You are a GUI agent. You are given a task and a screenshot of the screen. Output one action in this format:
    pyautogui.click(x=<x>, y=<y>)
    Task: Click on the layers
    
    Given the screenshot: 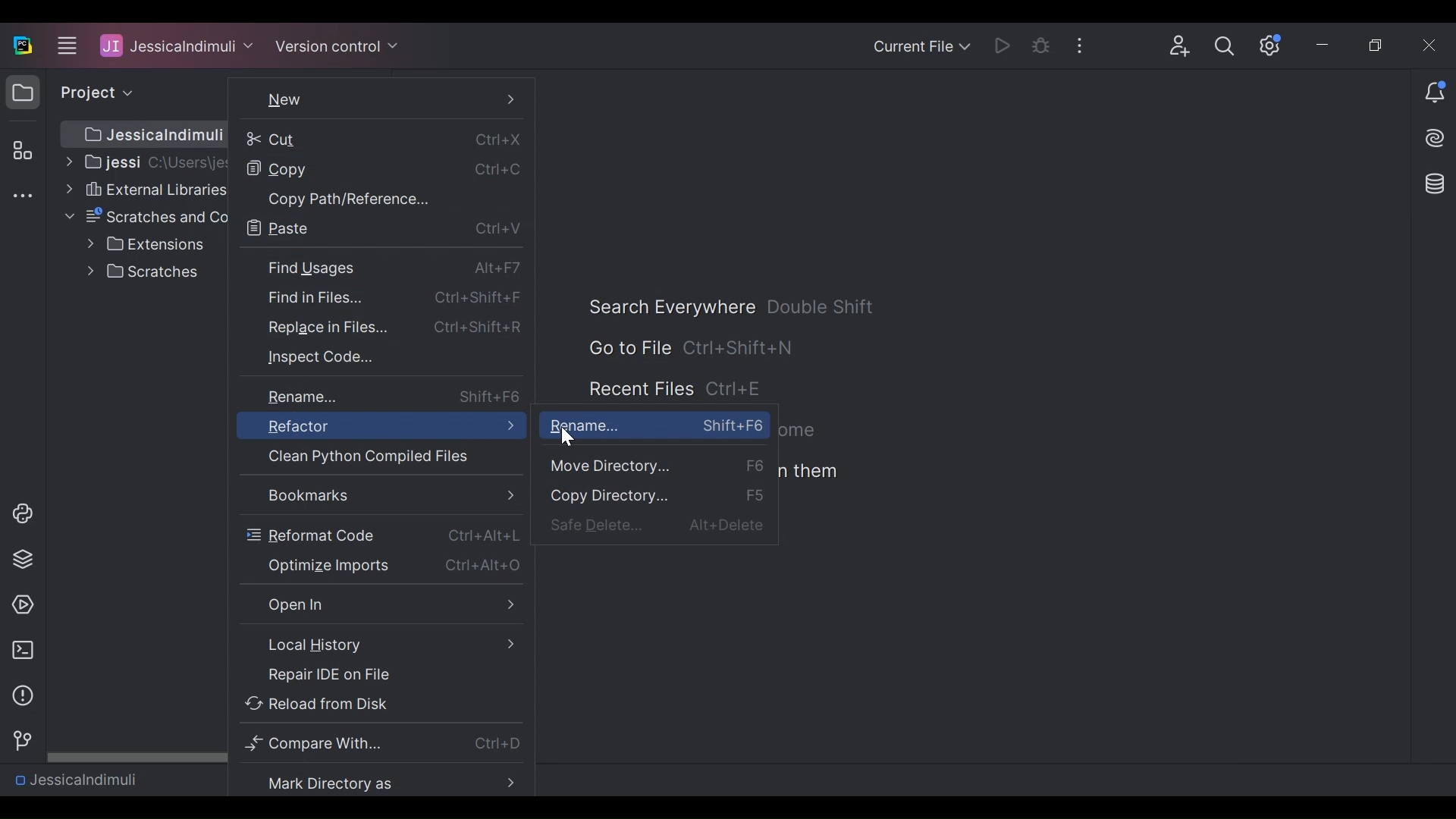 What is the action you would take?
    pyautogui.click(x=22, y=558)
    